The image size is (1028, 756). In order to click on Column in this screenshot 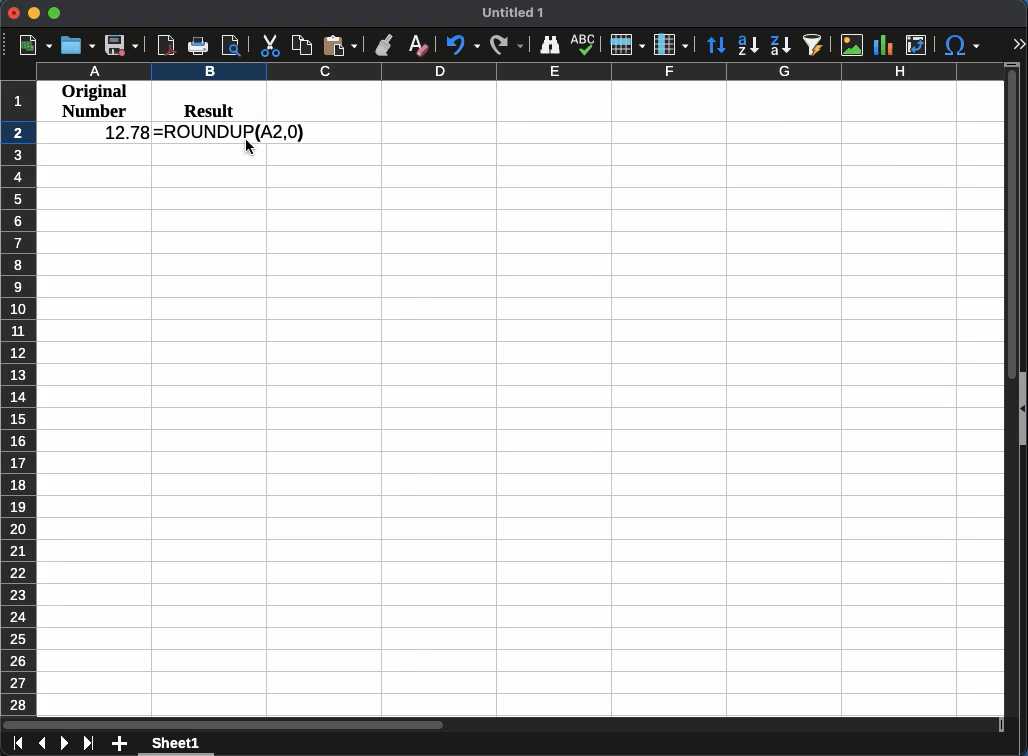, I will do `click(515, 73)`.